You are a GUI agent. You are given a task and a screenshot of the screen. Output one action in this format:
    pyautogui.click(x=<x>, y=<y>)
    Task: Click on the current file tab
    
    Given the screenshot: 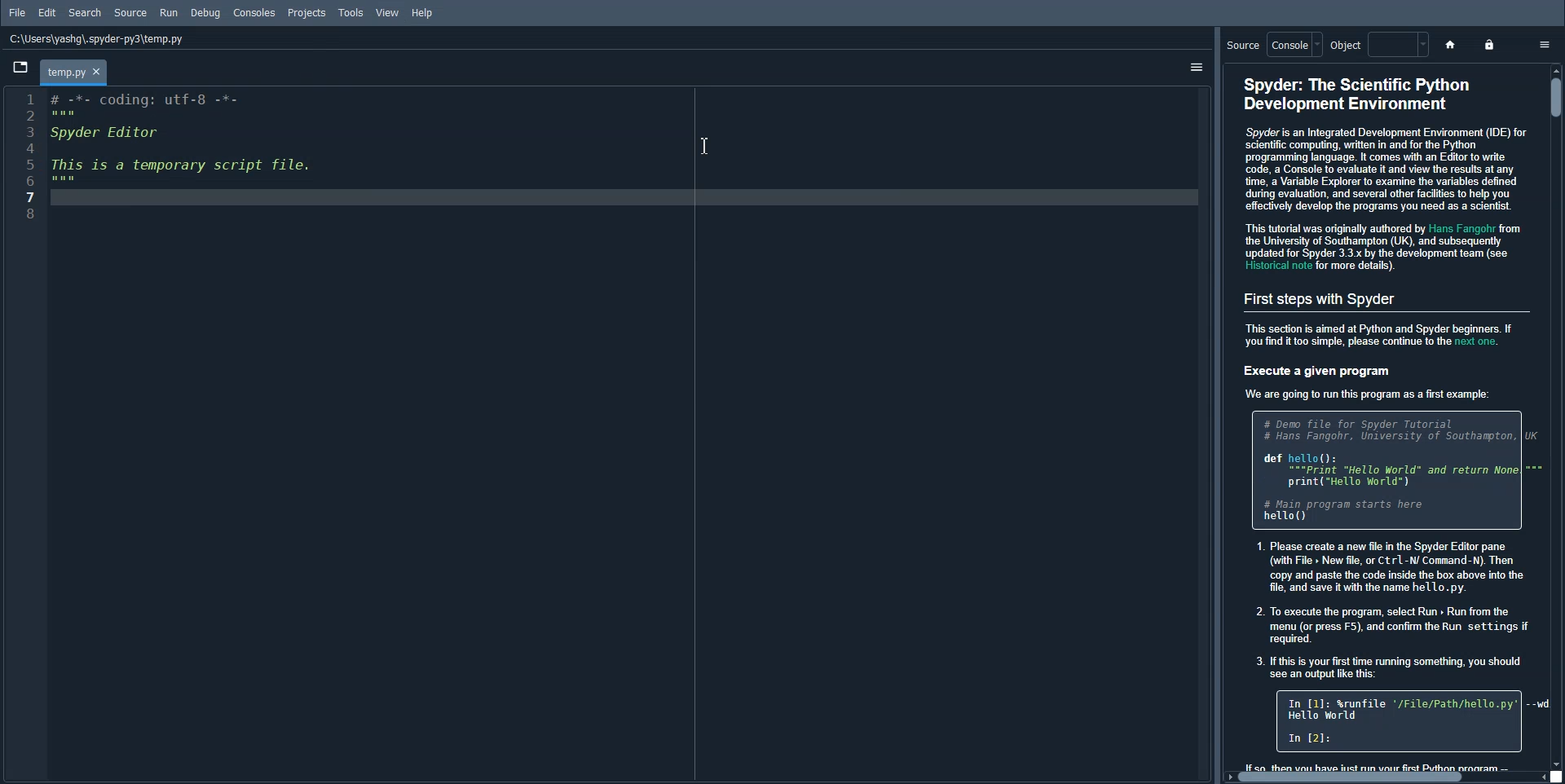 What is the action you would take?
    pyautogui.click(x=76, y=71)
    